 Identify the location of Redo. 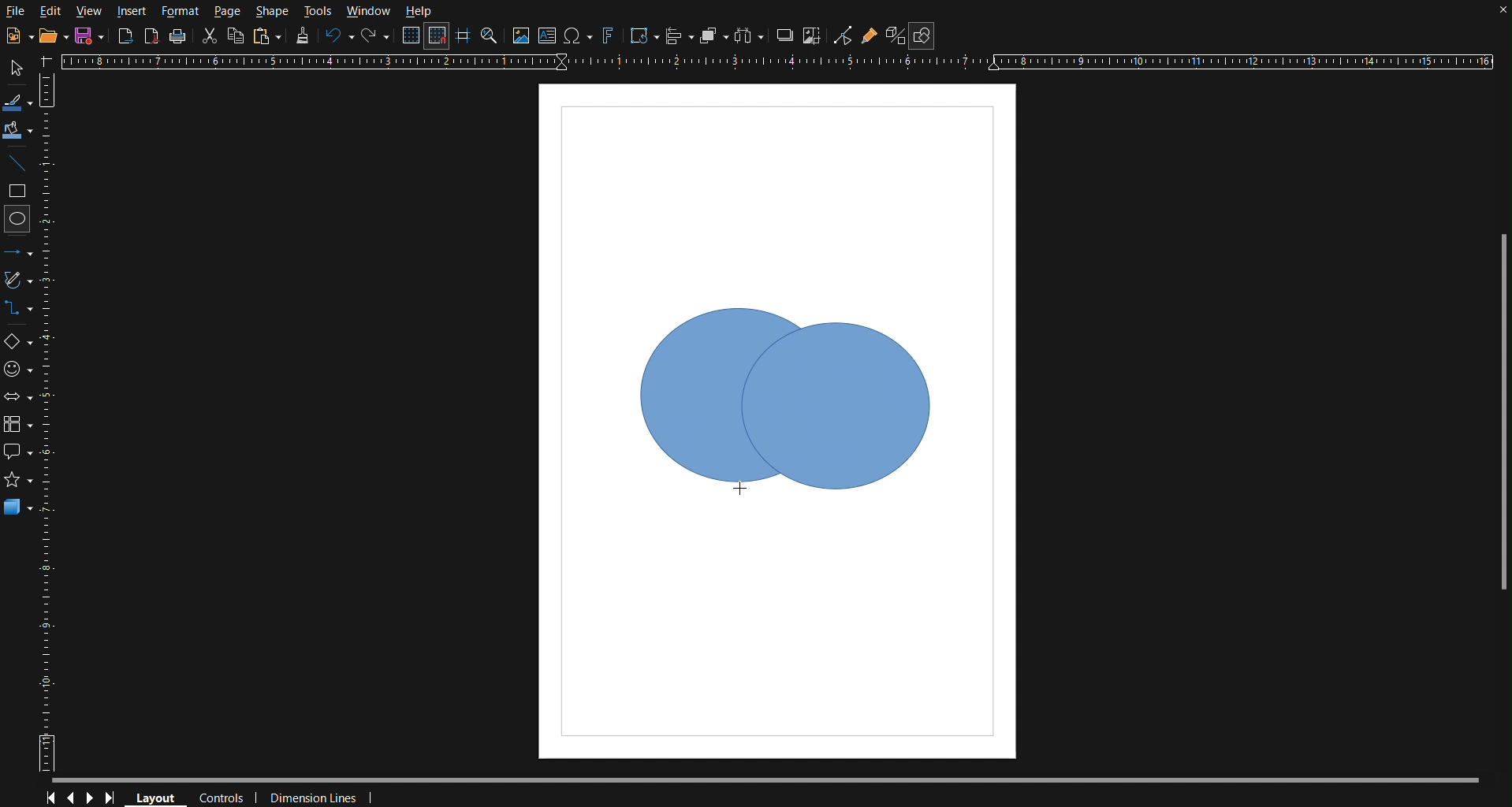
(372, 36).